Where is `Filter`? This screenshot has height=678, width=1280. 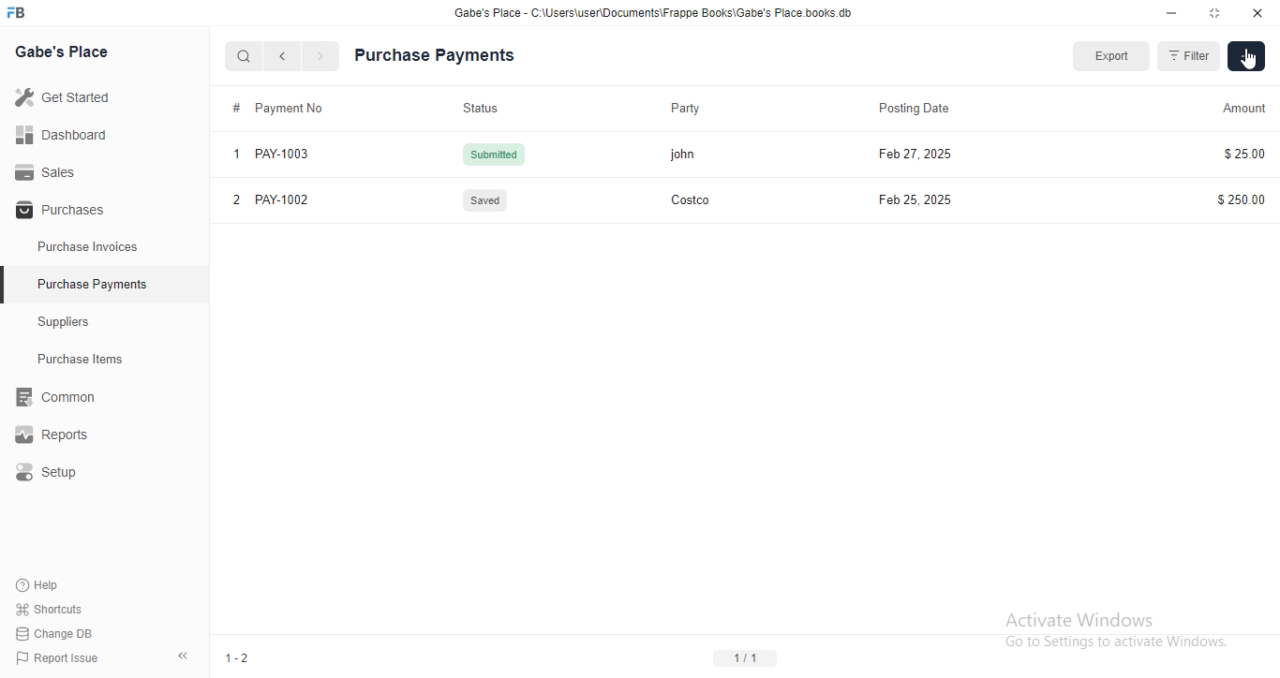
Filter is located at coordinates (1188, 56).